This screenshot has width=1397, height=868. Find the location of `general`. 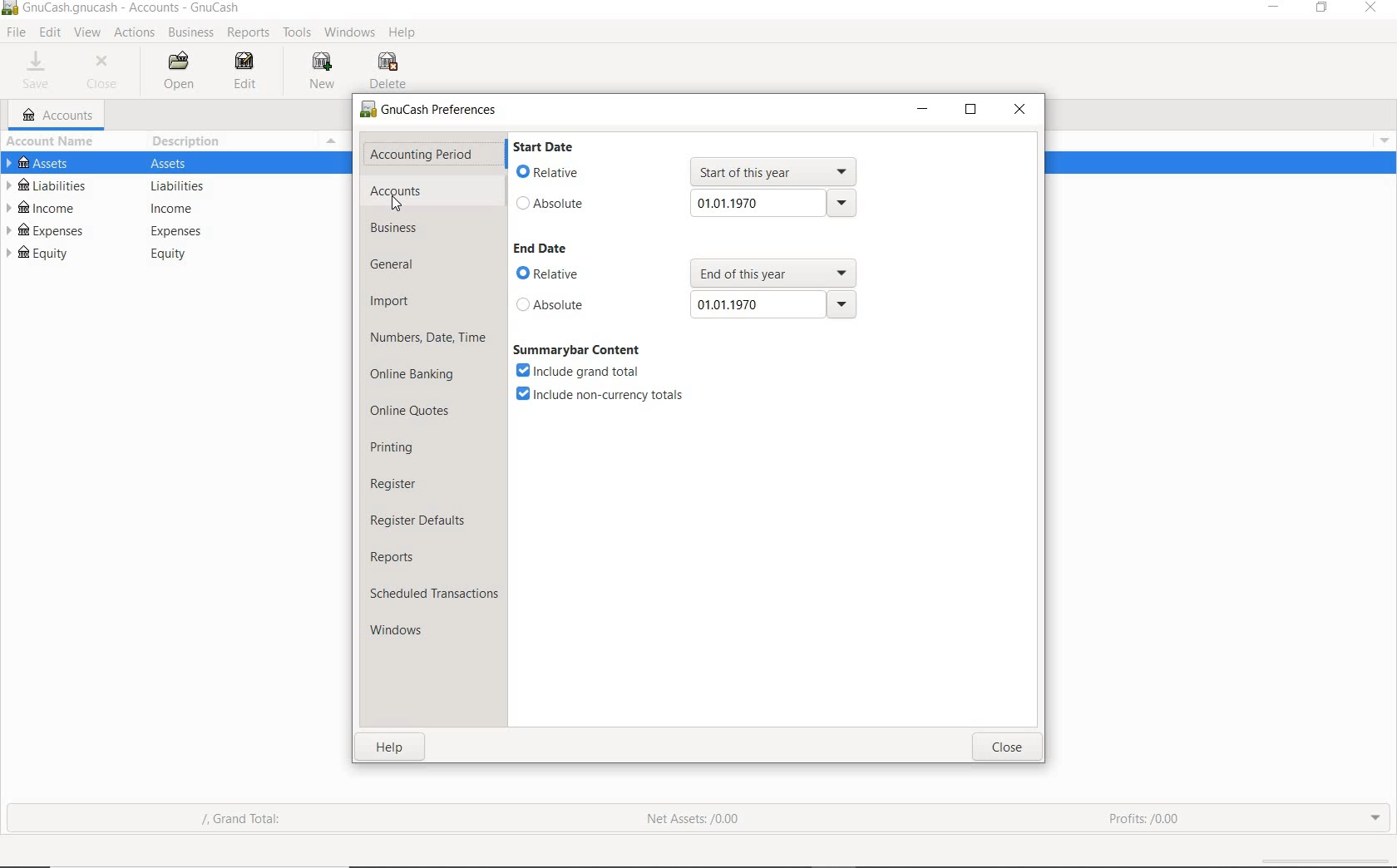

general is located at coordinates (398, 265).